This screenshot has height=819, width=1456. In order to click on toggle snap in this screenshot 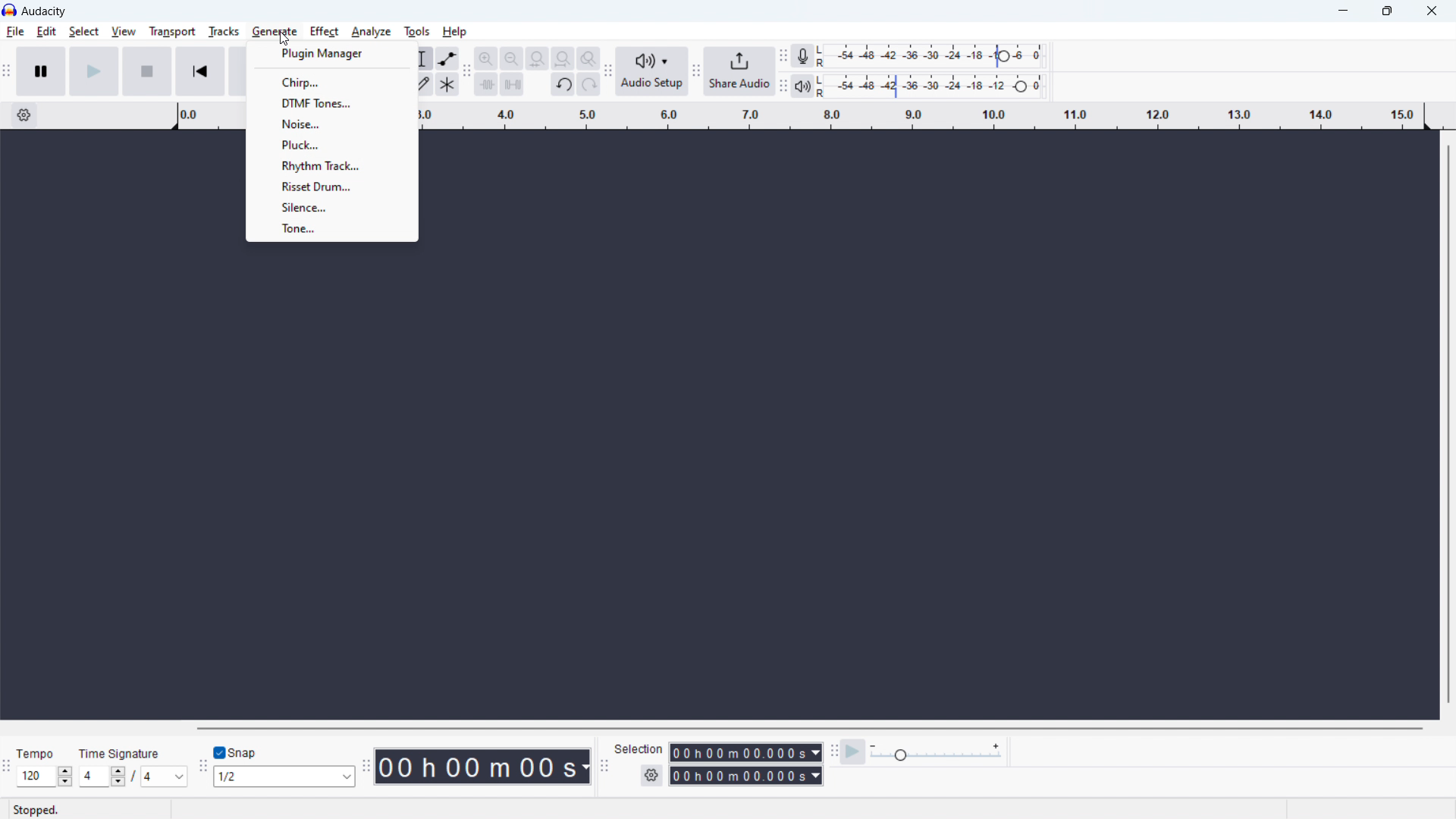, I will do `click(235, 752)`.